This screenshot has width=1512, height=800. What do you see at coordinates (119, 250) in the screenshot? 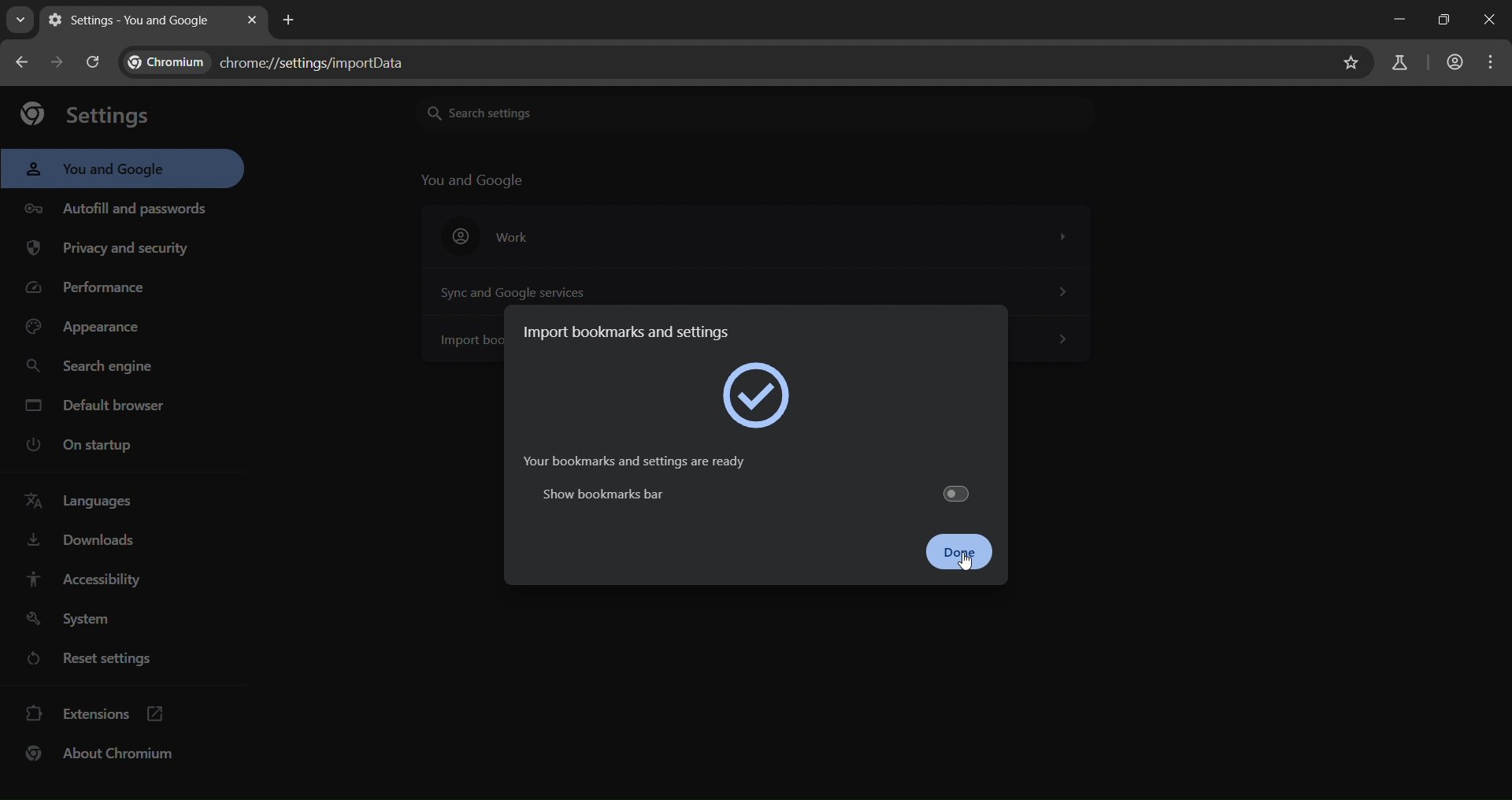
I see `rivacy and security` at bounding box center [119, 250].